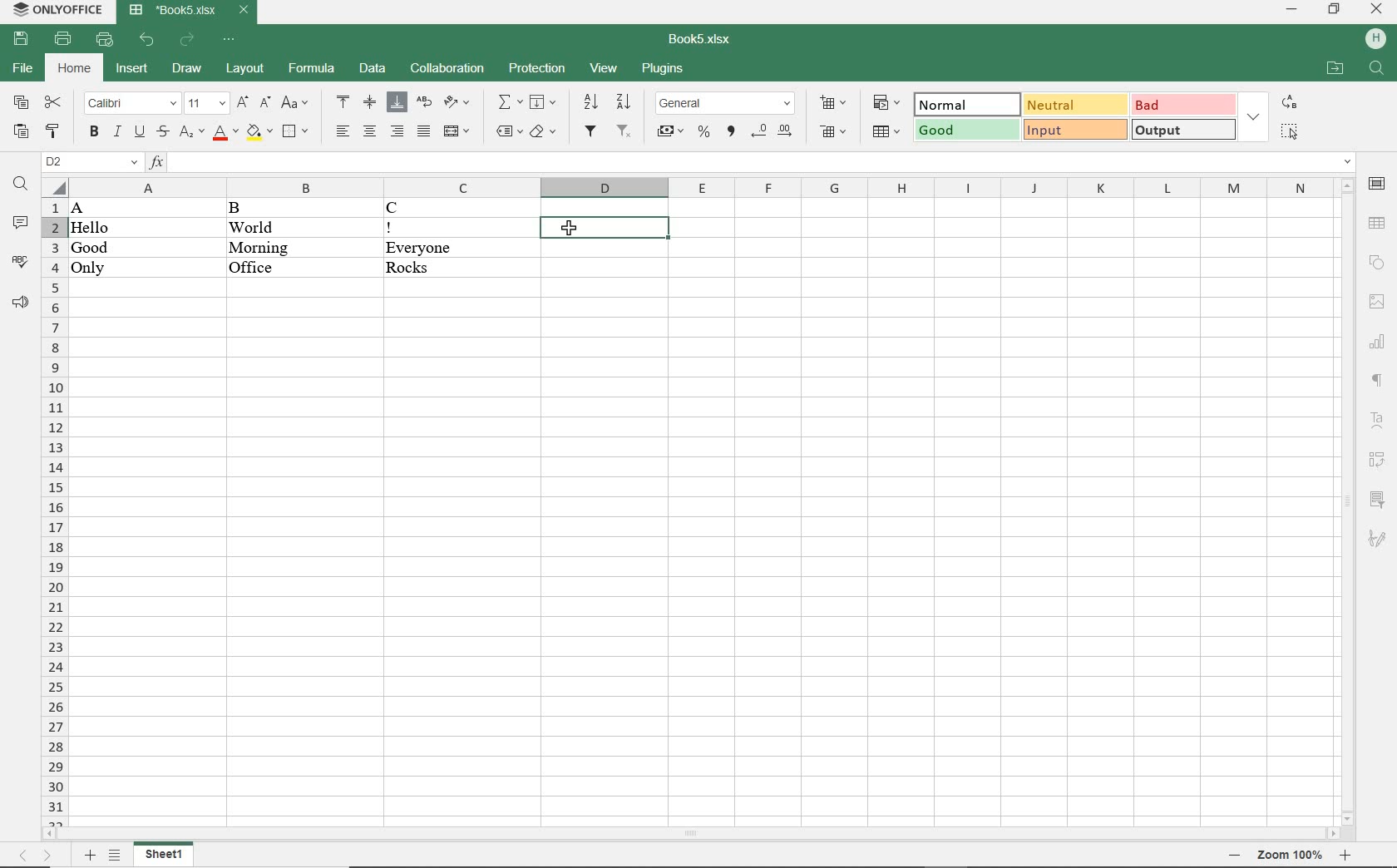 The width and height of the screenshot is (1397, 868). I want to click on UNDERLINE, so click(141, 131).